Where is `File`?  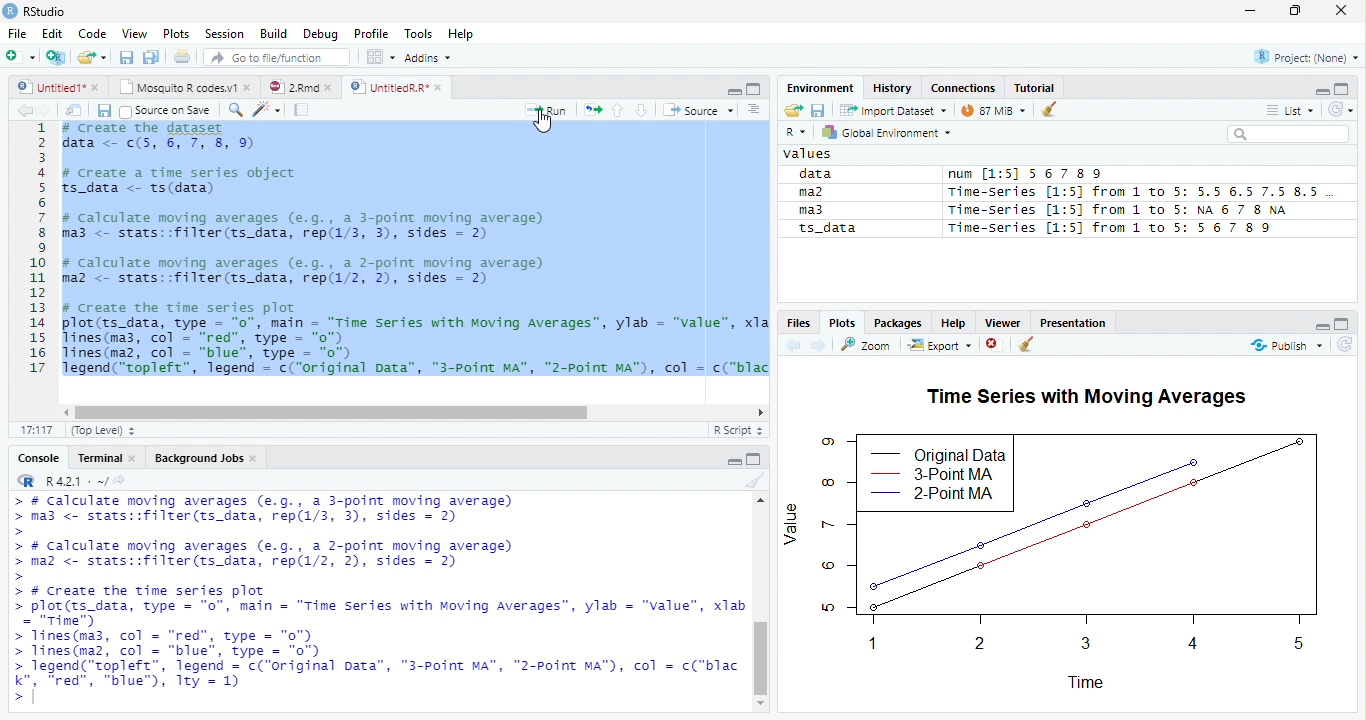 File is located at coordinates (16, 34).